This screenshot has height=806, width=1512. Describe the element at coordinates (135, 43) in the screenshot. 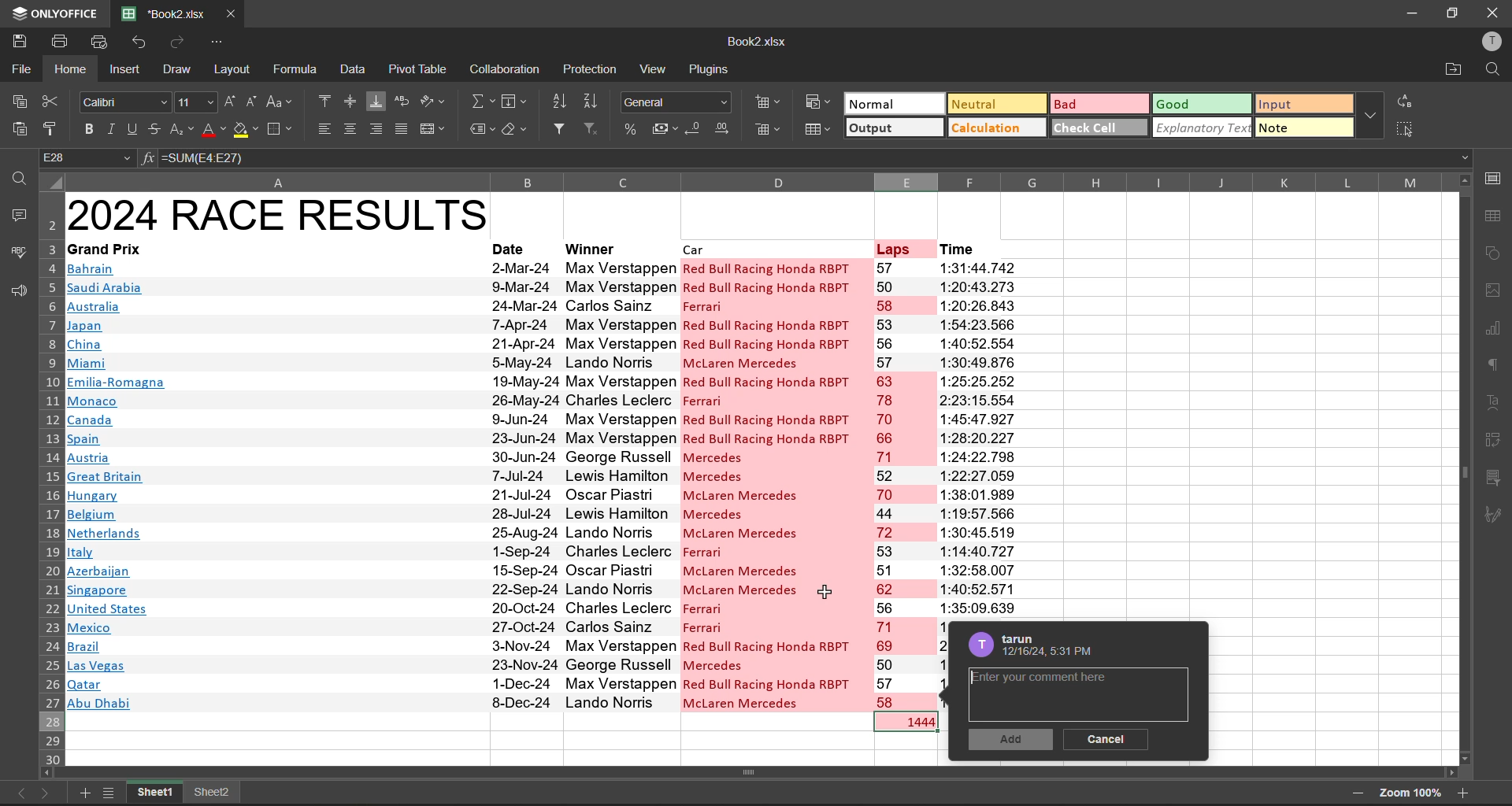

I see `undo` at that location.